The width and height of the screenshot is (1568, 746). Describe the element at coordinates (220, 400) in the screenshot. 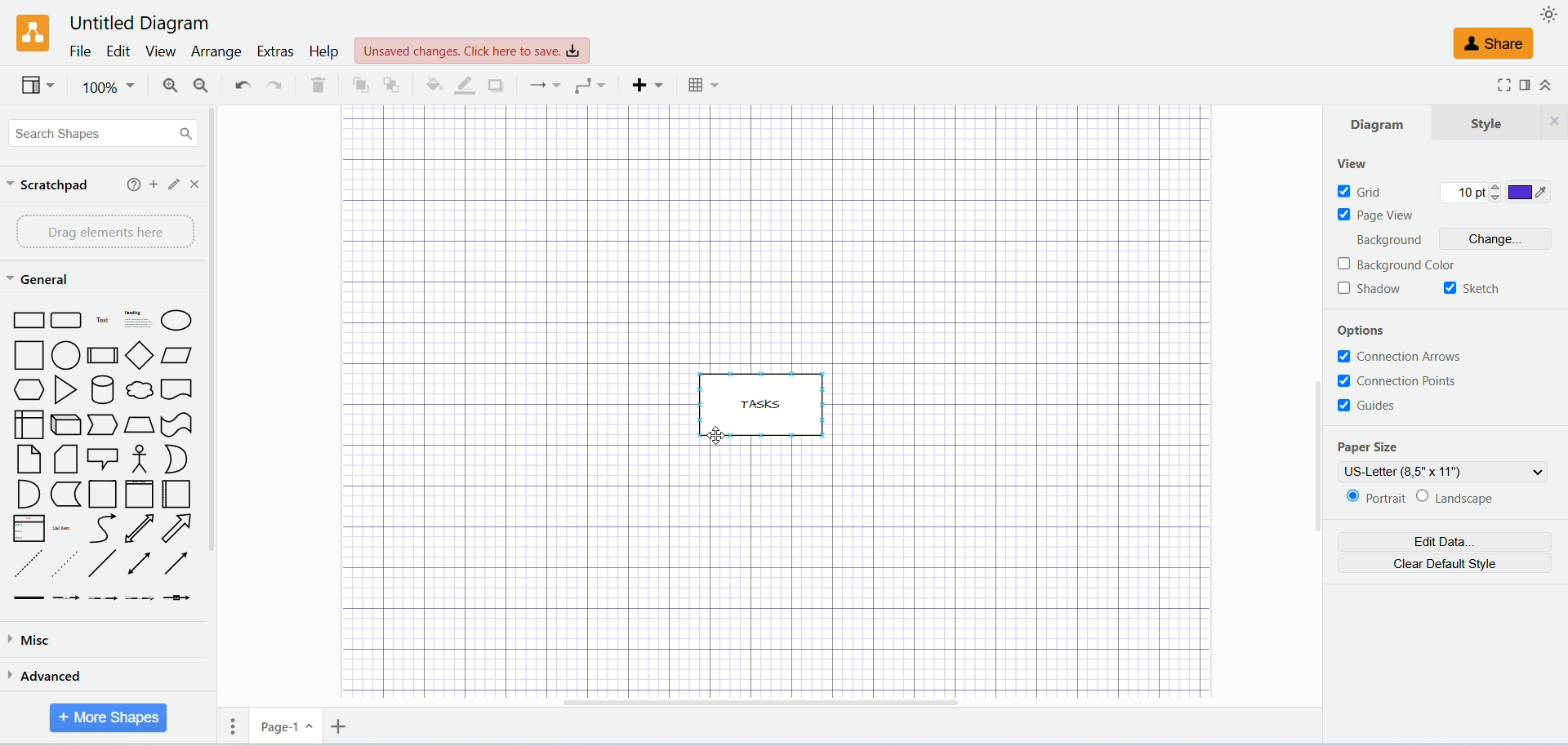

I see `vertical scroll bar` at that location.